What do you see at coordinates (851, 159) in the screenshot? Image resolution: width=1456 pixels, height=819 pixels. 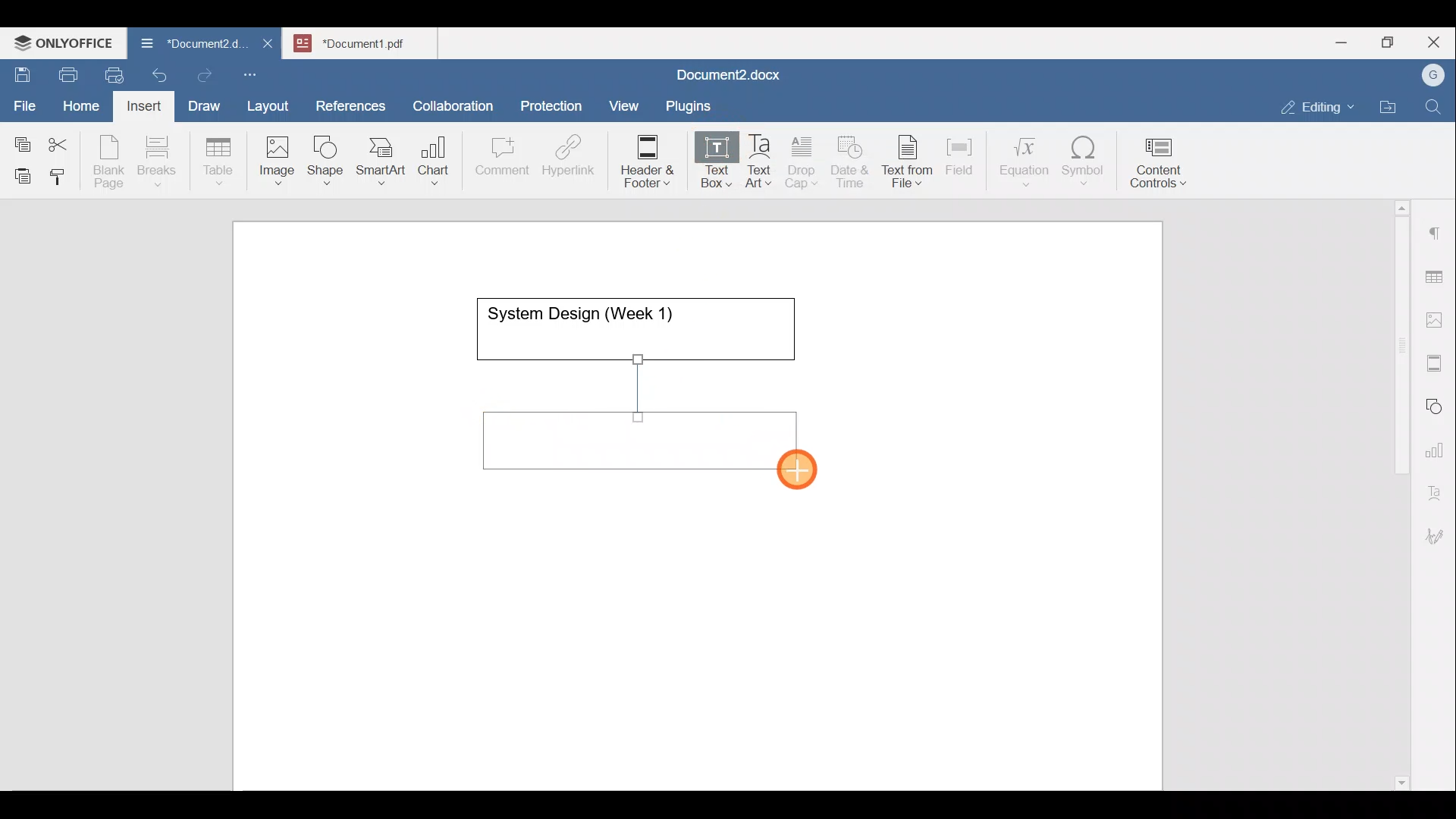 I see `Date & time` at bounding box center [851, 159].